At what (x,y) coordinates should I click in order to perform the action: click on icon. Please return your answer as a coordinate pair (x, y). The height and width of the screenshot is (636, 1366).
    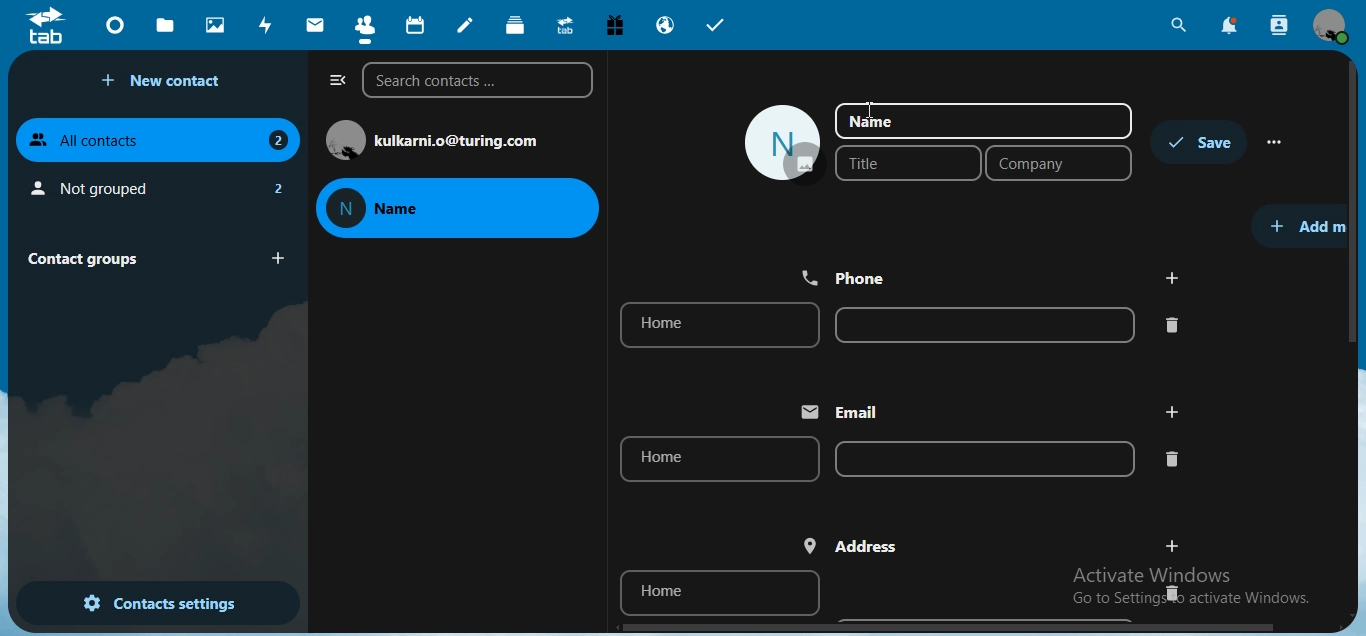
    Looking at the image, I should click on (48, 25).